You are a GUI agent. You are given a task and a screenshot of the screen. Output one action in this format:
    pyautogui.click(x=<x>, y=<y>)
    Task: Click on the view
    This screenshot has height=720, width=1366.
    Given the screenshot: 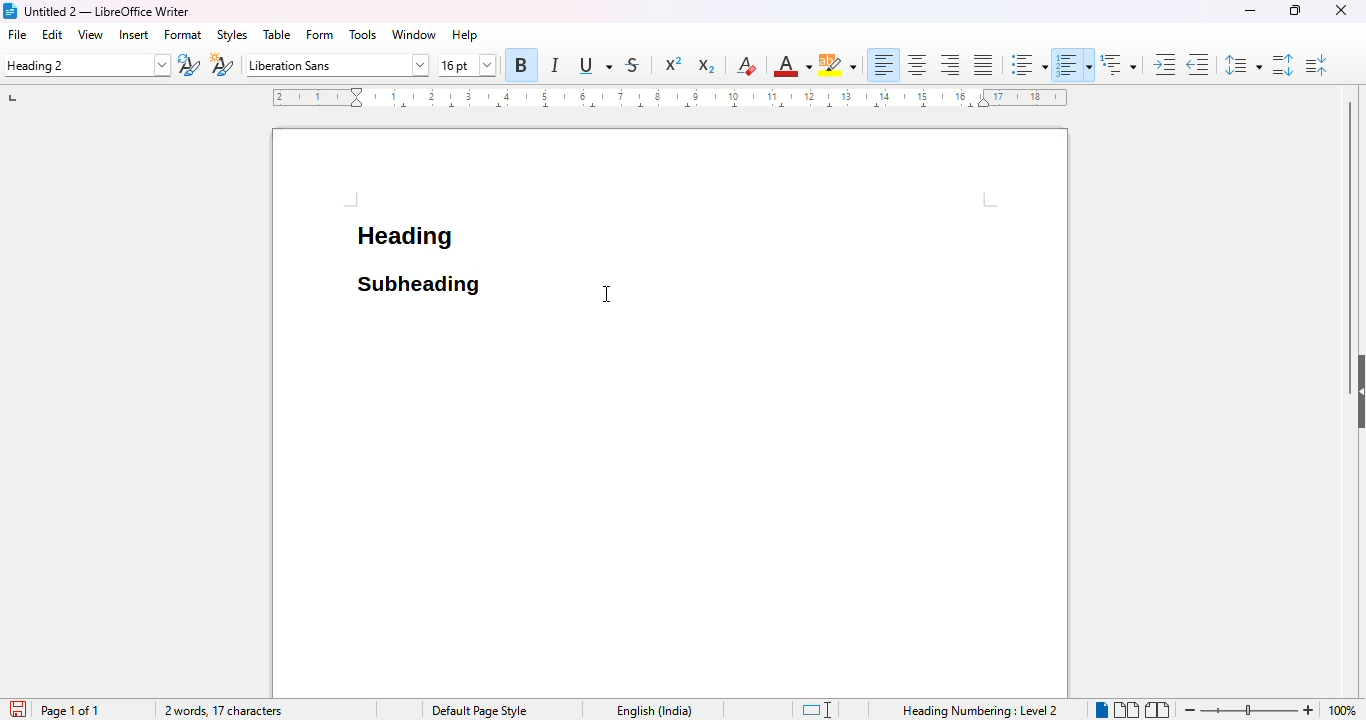 What is the action you would take?
    pyautogui.click(x=91, y=34)
    